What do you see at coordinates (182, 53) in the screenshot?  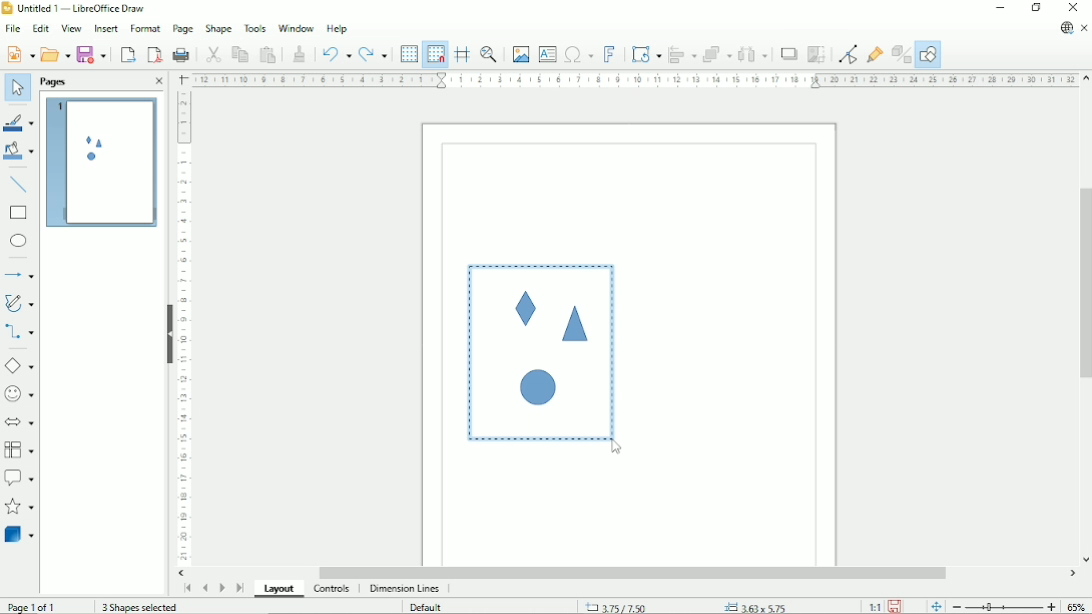 I see `Print` at bounding box center [182, 53].